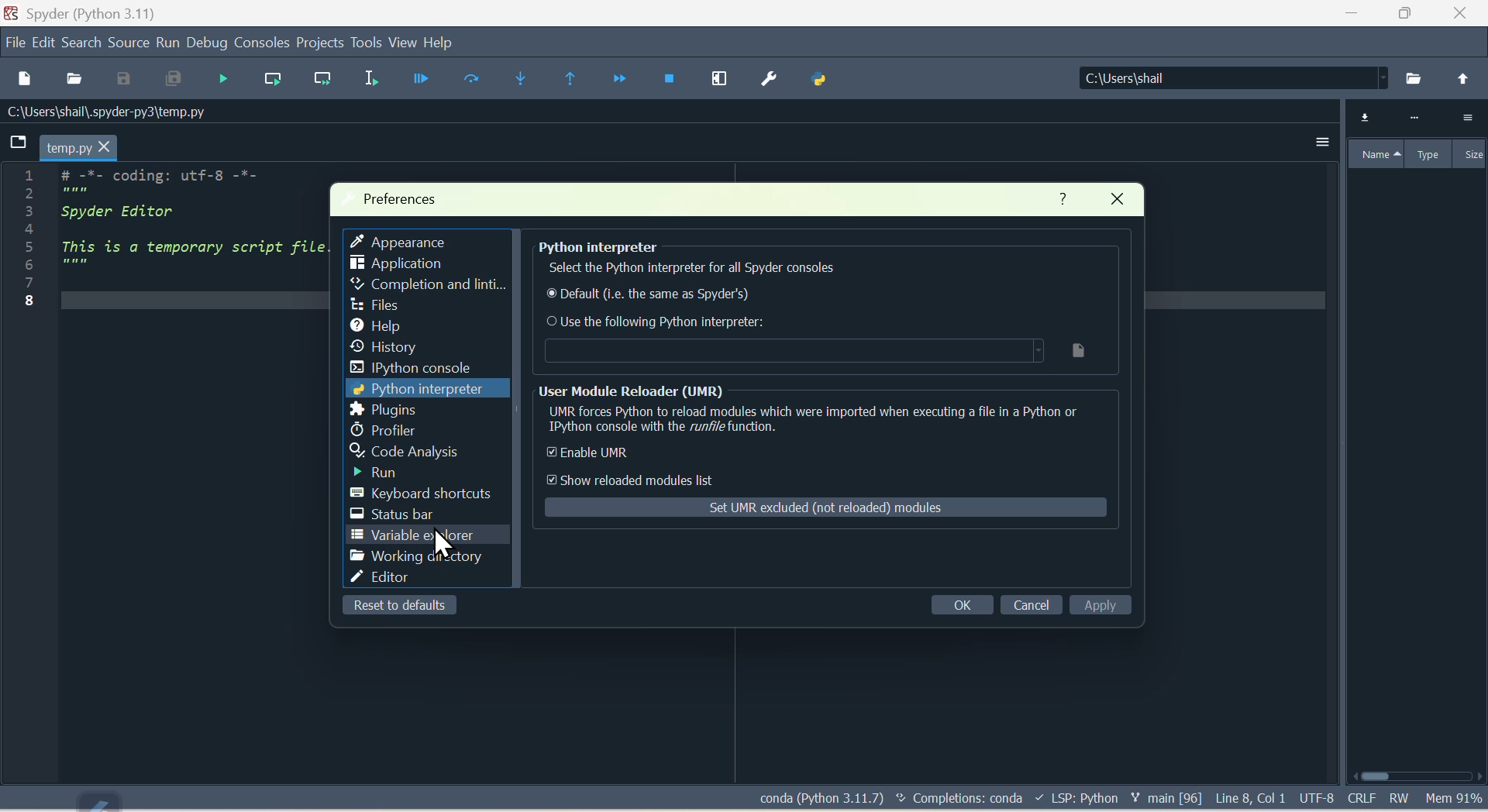  What do you see at coordinates (1119, 800) in the screenshot?
I see `Text - conda (Python 3.11.7) Completions: conda LSP: Python main [96] Line 8, Col 1 UTF-8 CRLF RW Mem 91%` at bounding box center [1119, 800].